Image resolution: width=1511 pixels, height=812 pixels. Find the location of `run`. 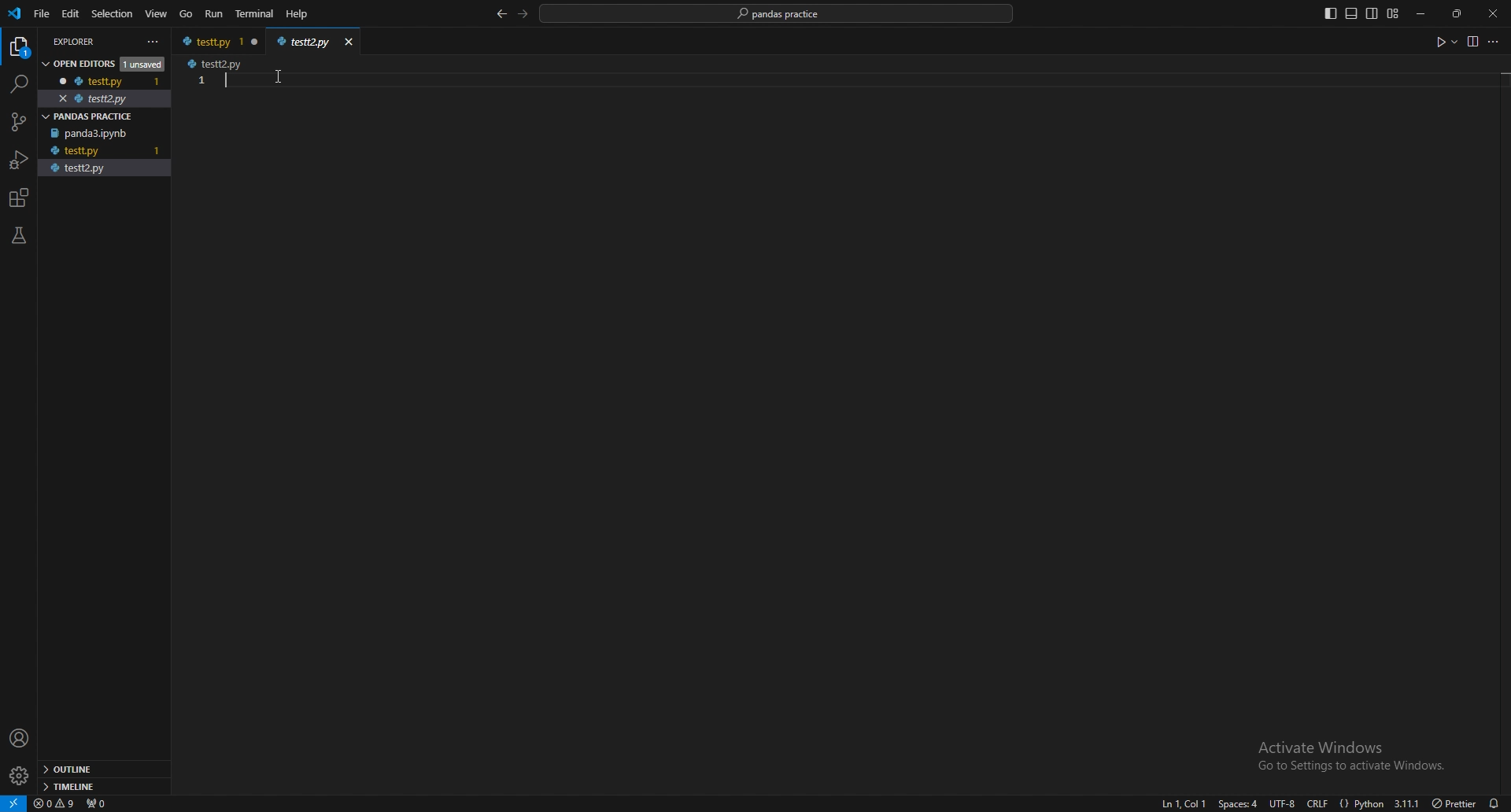

run is located at coordinates (216, 14).